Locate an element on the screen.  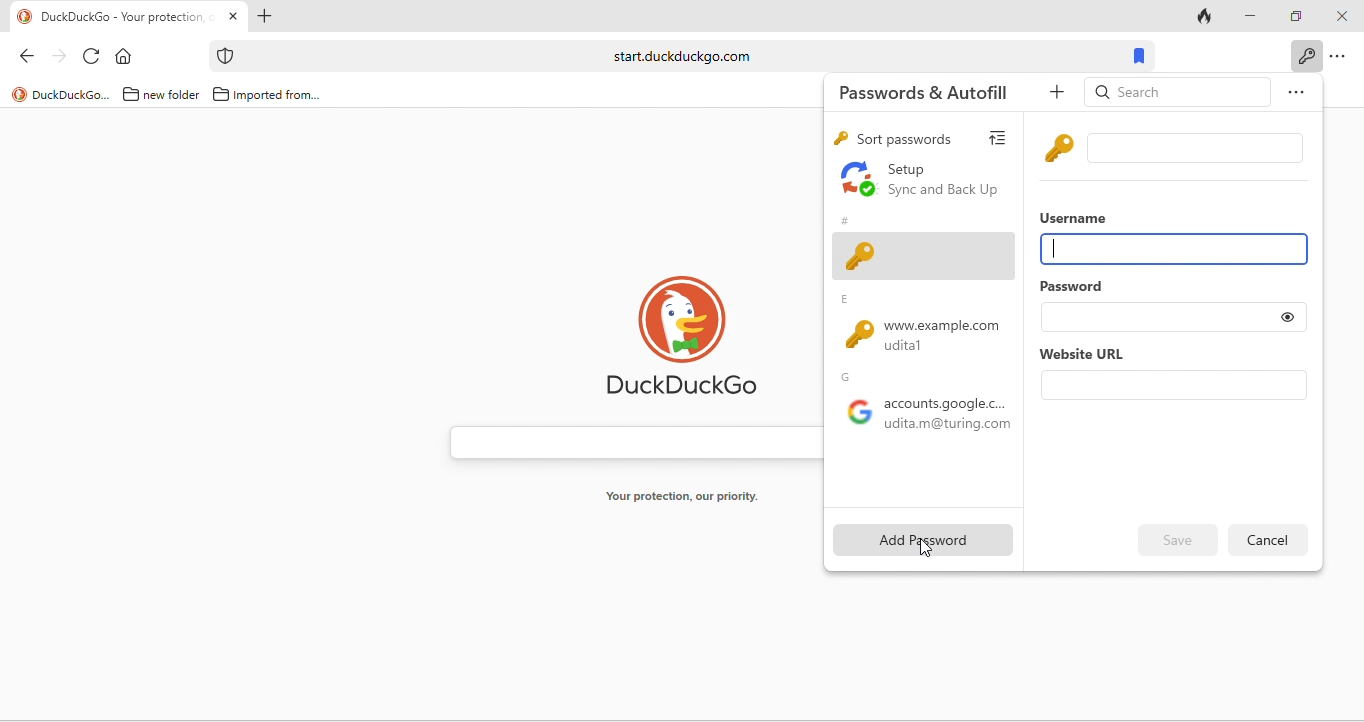
username input box is located at coordinates (1179, 251).